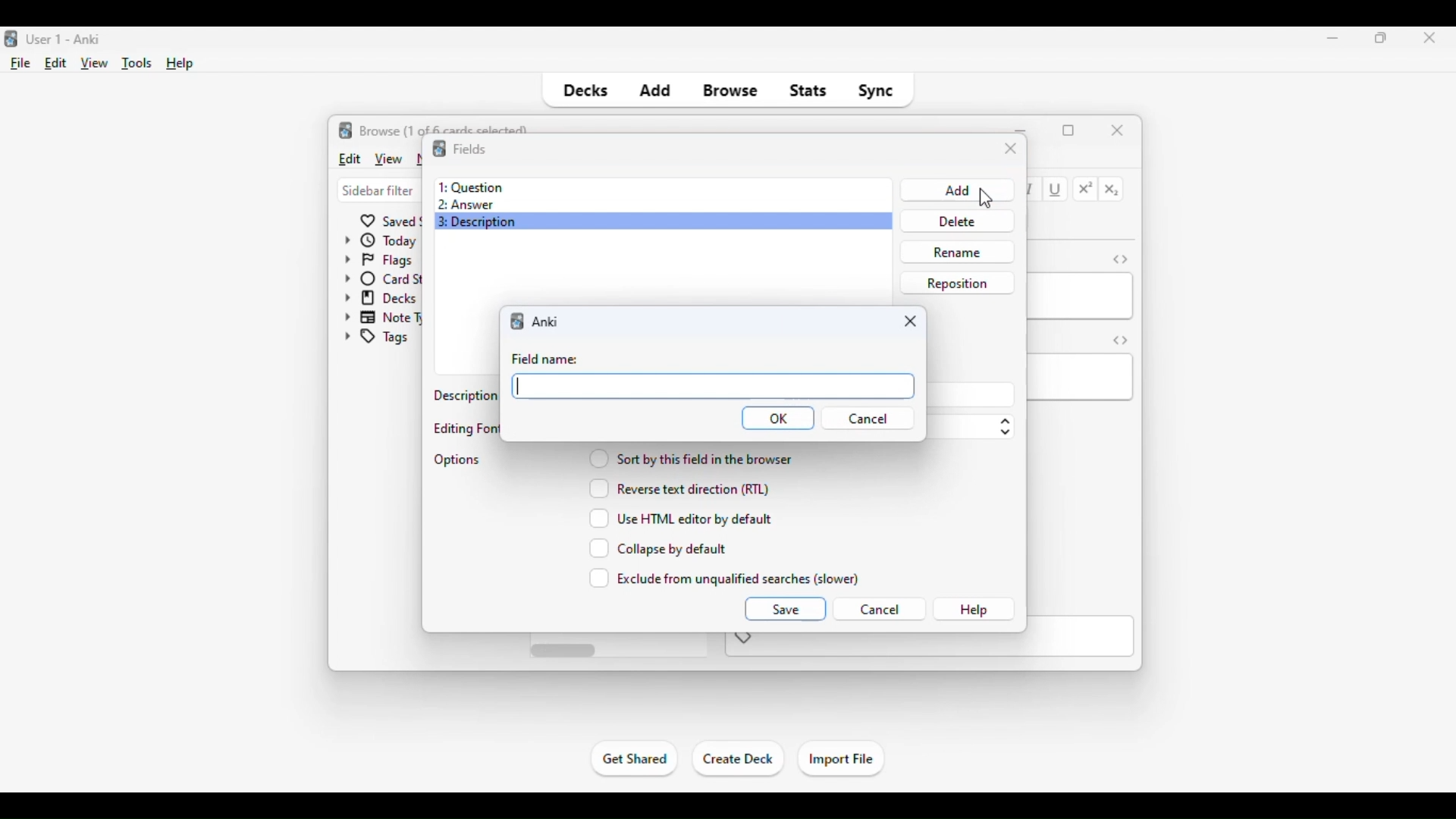  I want to click on browse, so click(731, 91).